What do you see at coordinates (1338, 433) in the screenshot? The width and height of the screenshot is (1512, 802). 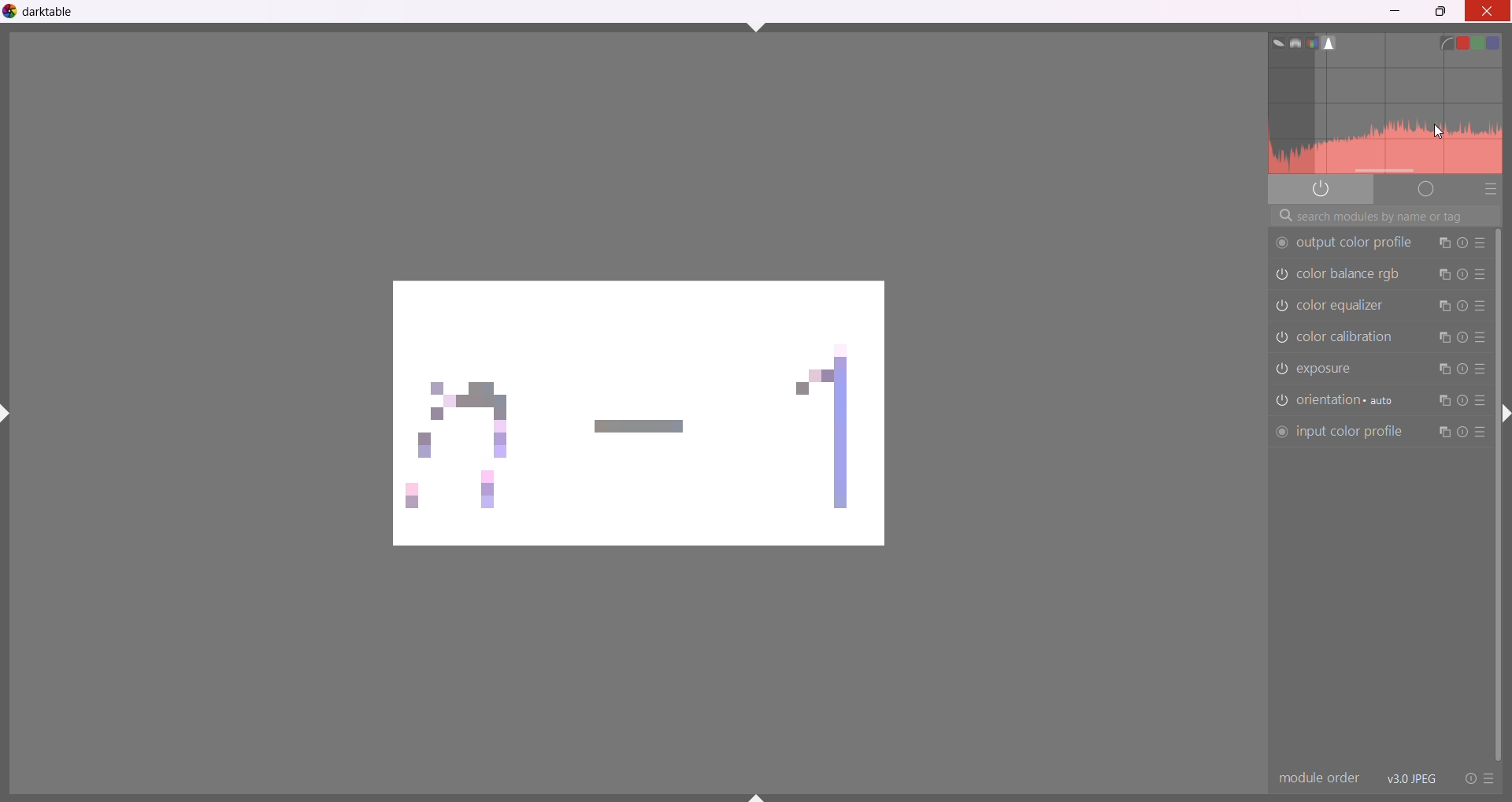 I see `input color profile` at bounding box center [1338, 433].